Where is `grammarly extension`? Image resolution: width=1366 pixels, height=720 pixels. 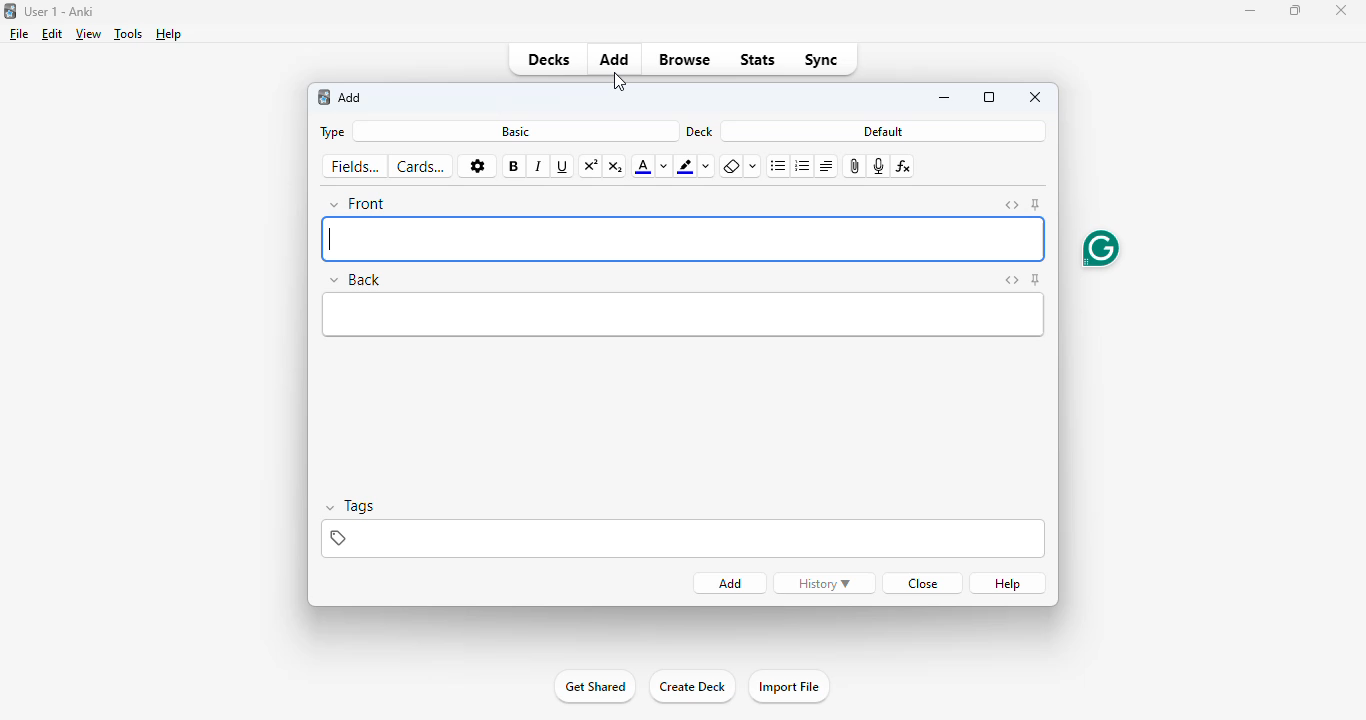
grammarly extension is located at coordinates (1100, 248).